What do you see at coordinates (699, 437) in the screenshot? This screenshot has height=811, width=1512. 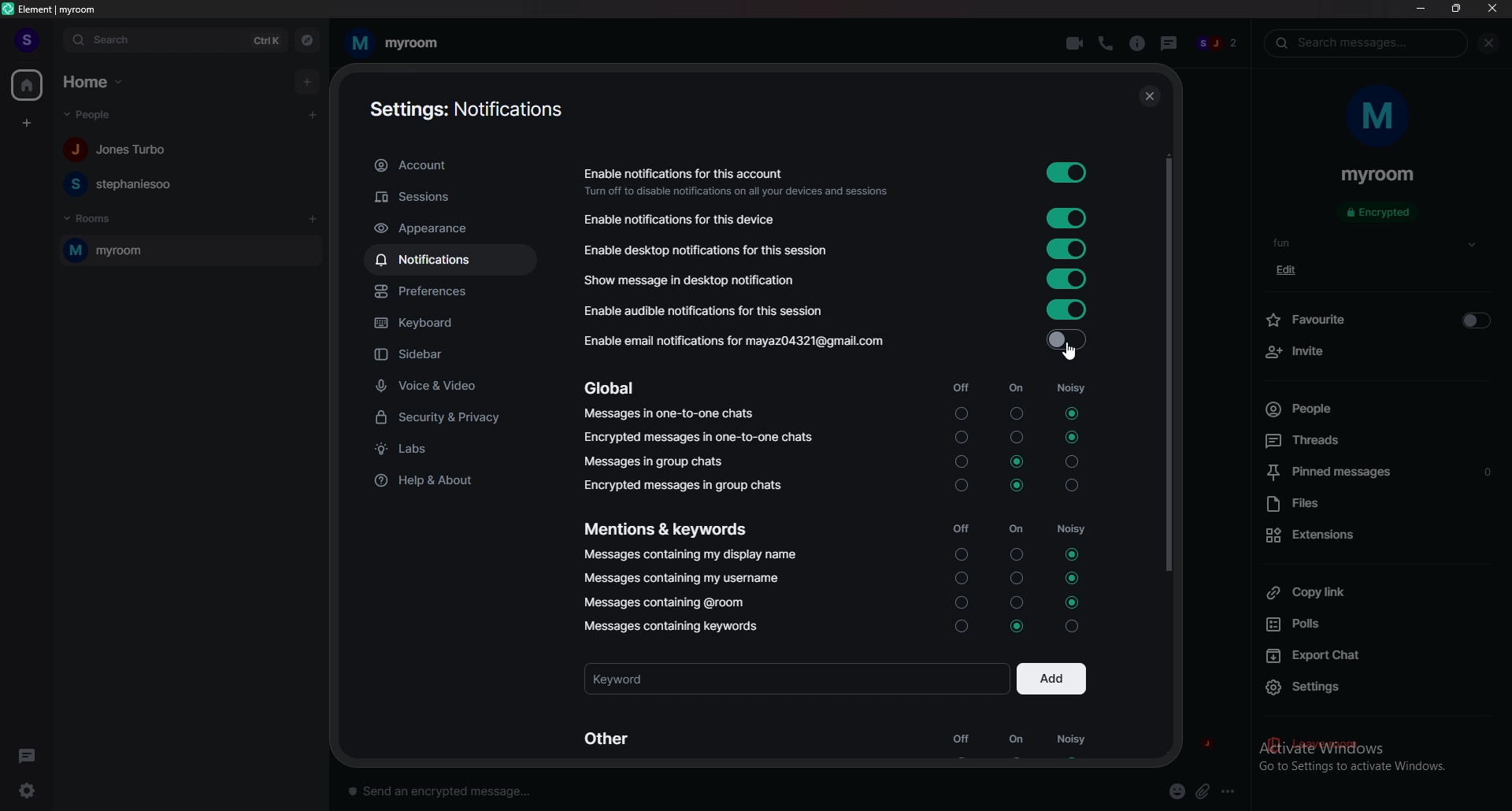 I see `encrypted messages in one to one chats` at bounding box center [699, 437].